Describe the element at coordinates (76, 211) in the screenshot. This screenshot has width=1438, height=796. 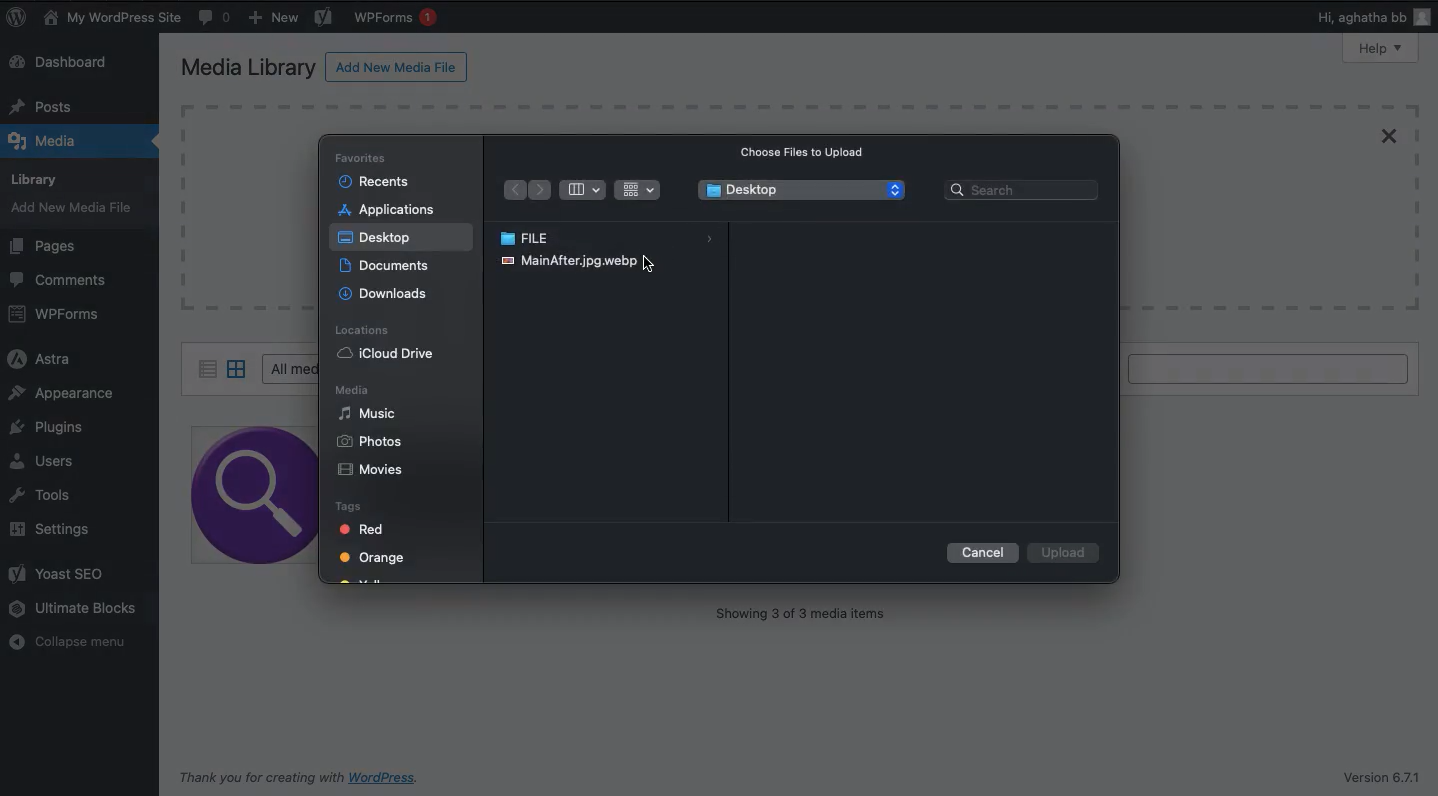
I see `Add new media` at that location.